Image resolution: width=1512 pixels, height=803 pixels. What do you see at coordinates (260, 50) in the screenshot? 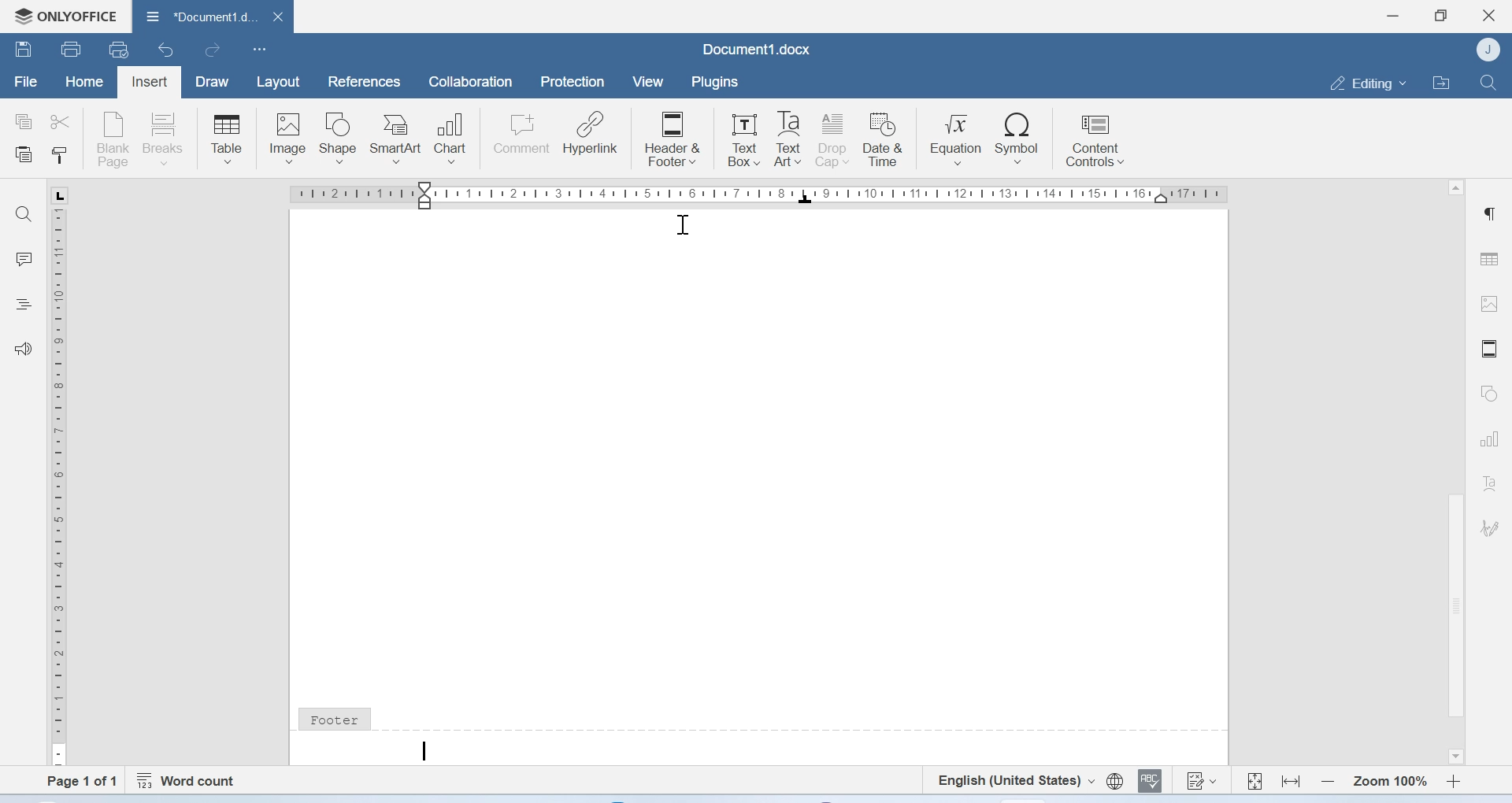
I see `Customize Quick Access Toolbar` at bounding box center [260, 50].